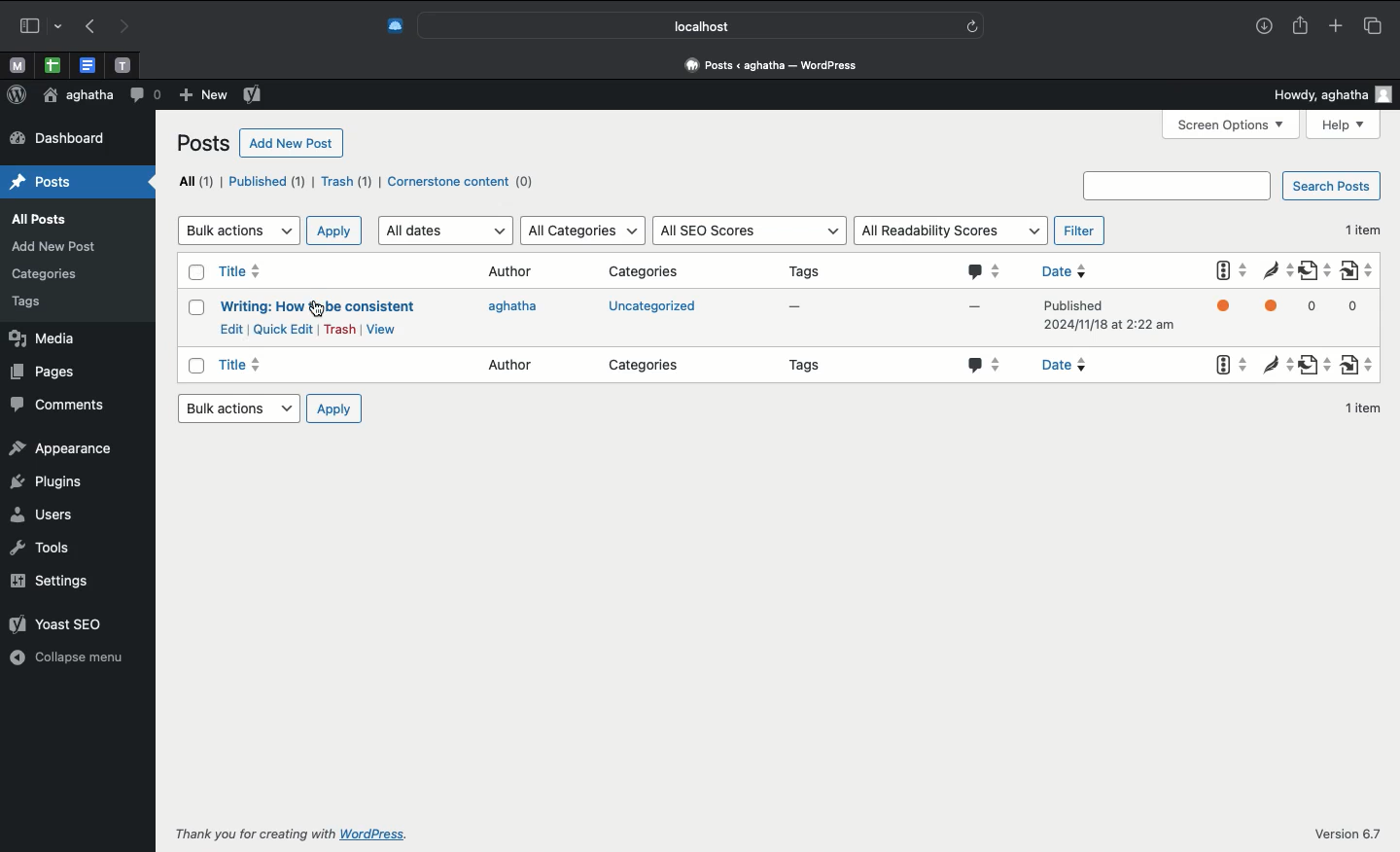 This screenshot has width=1400, height=852. Describe the element at coordinates (1229, 272) in the screenshot. I see `Yoast` at that location.